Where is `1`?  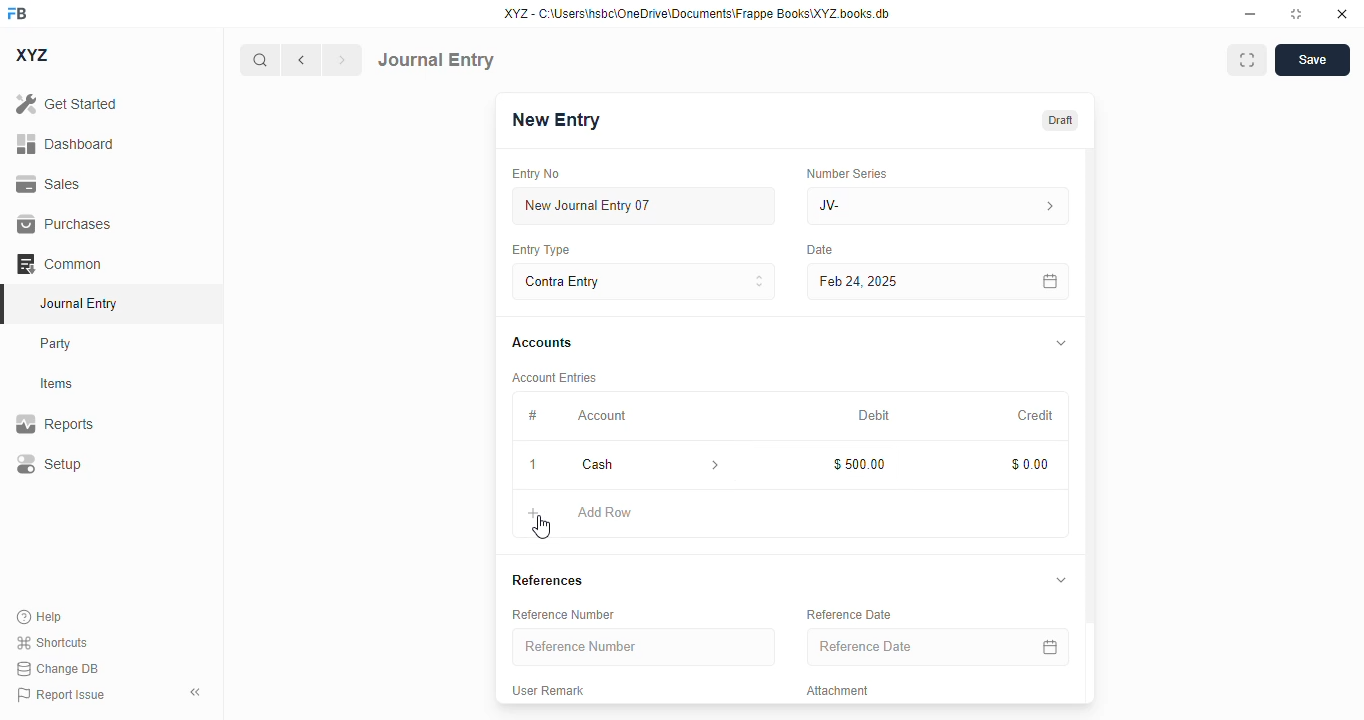 1 is located at coordinates (534, 465).